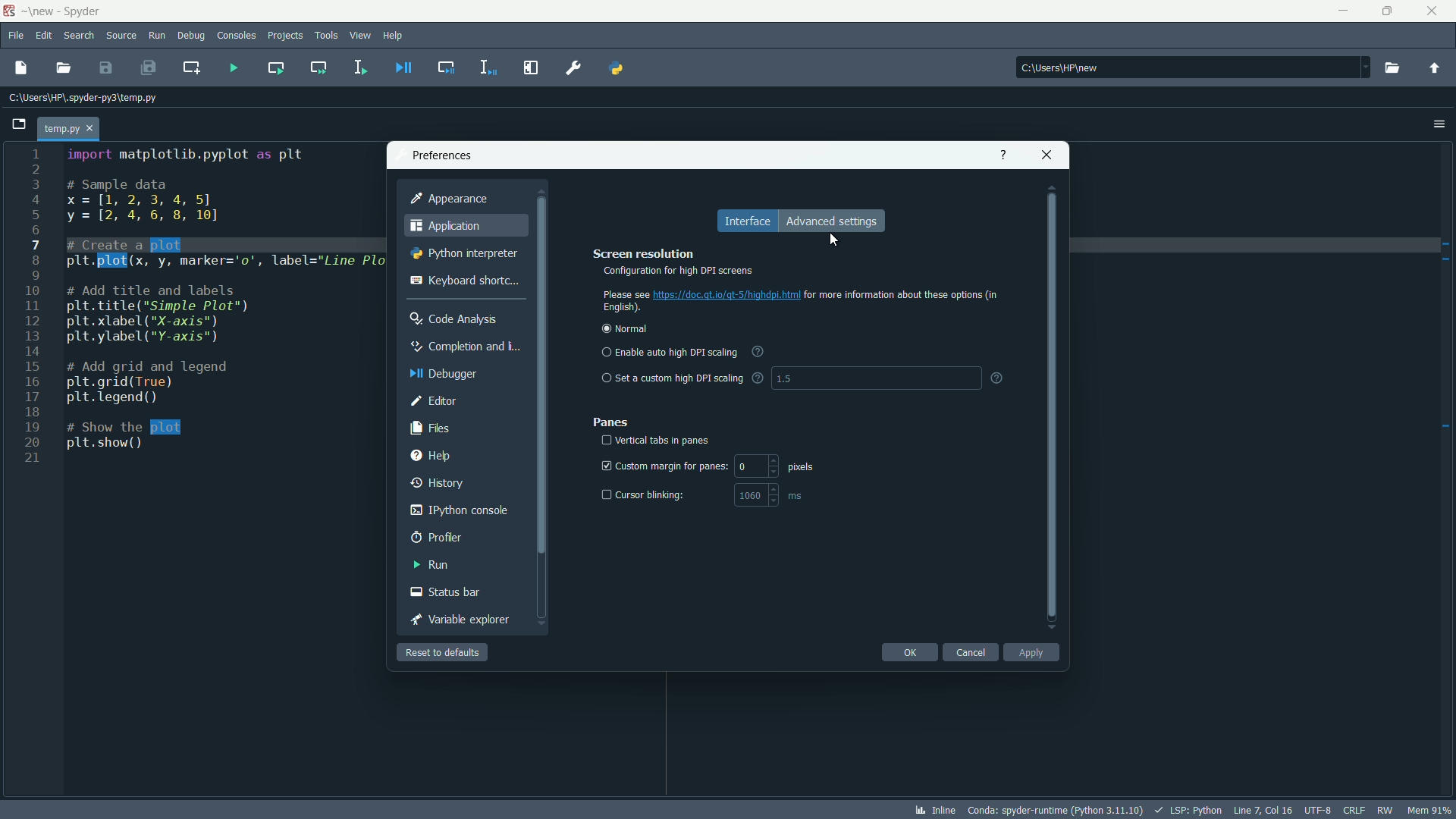  I want to click on code analysis, so click(454, 318).